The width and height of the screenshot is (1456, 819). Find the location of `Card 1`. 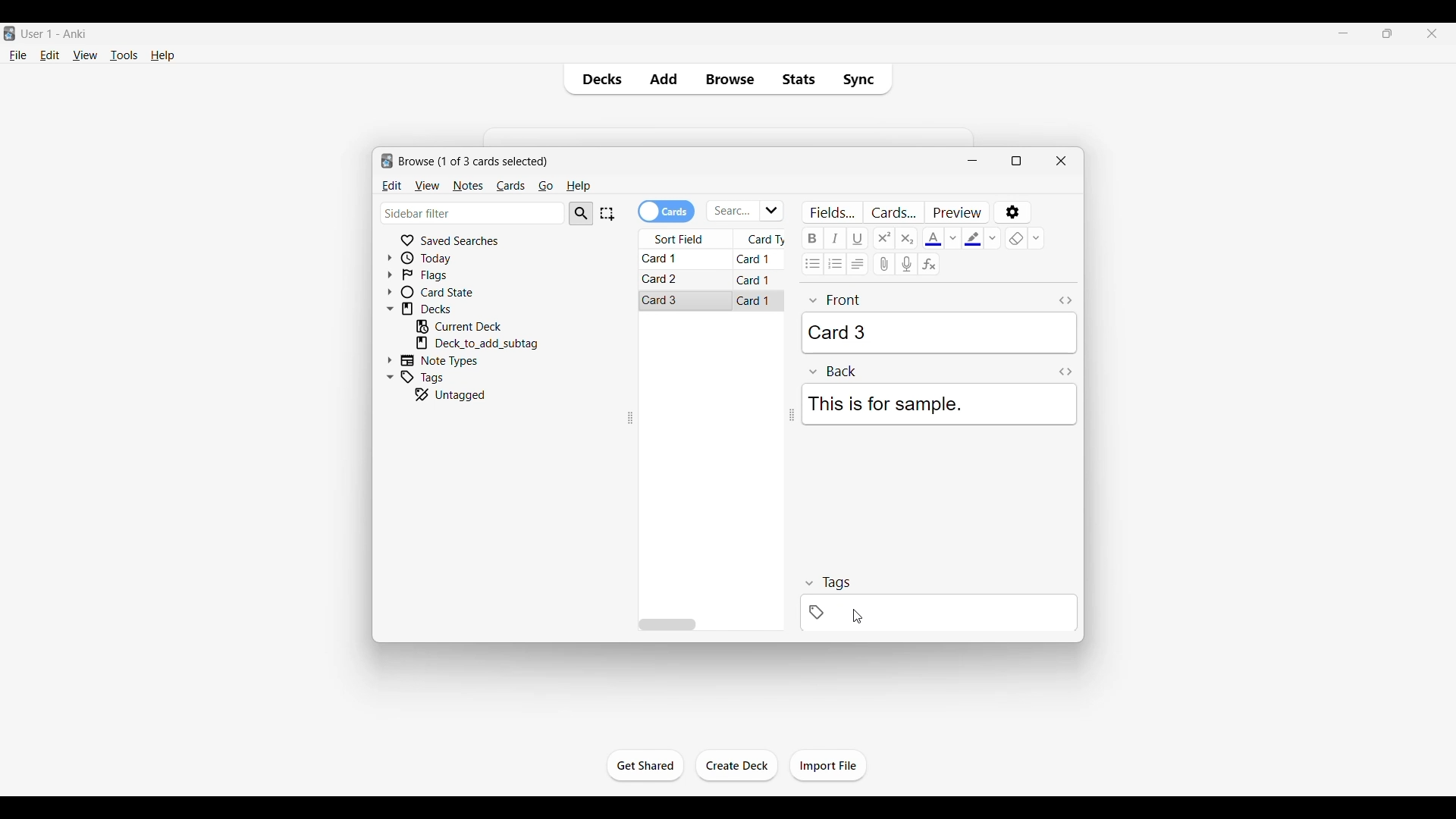

Card 1 is located at coordinates (754, 300).